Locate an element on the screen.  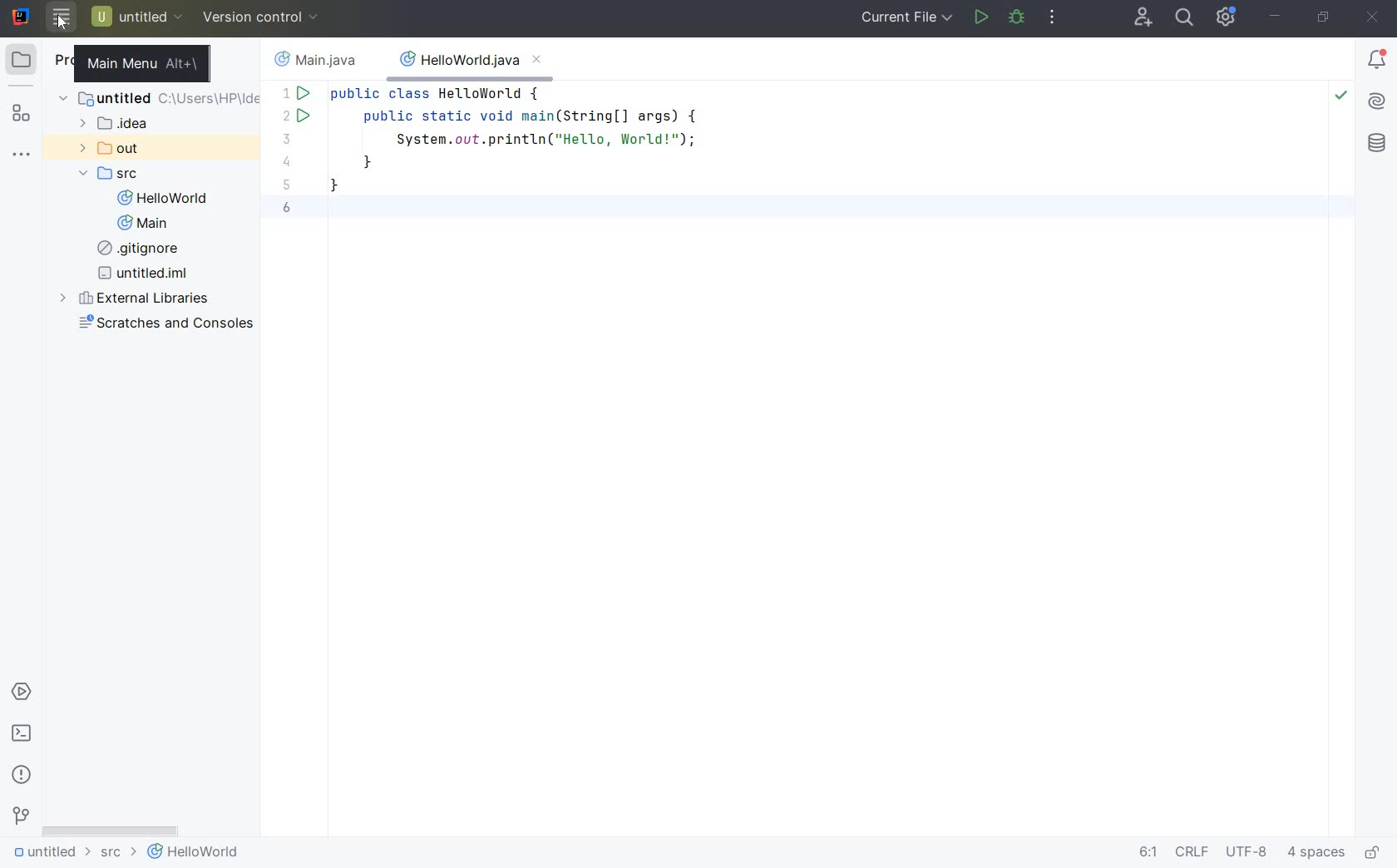
services is located at coordinates (21, 693).